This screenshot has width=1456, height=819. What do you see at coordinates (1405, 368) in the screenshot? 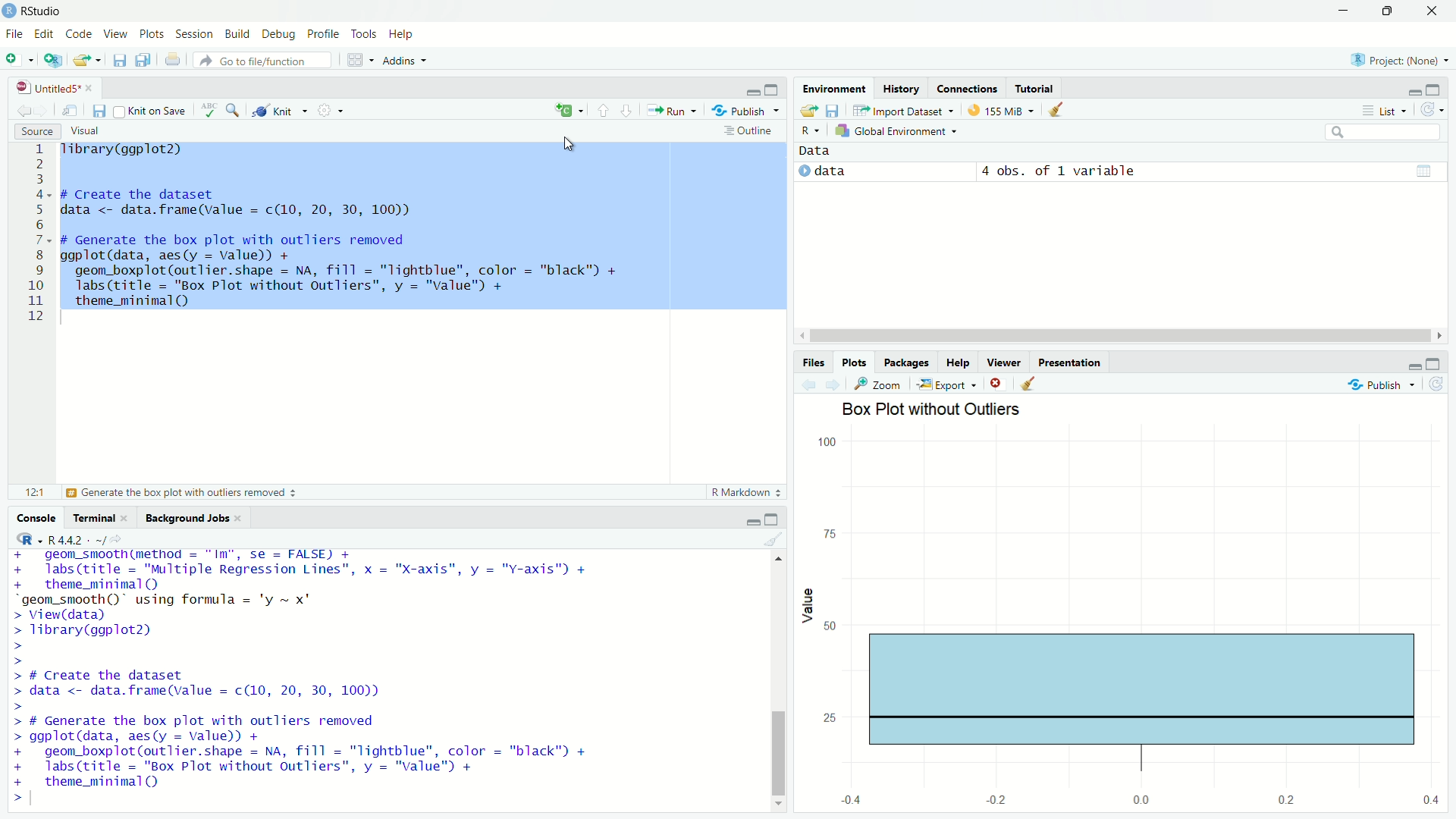
I see `minimise` at bounding box center [1405, 368].